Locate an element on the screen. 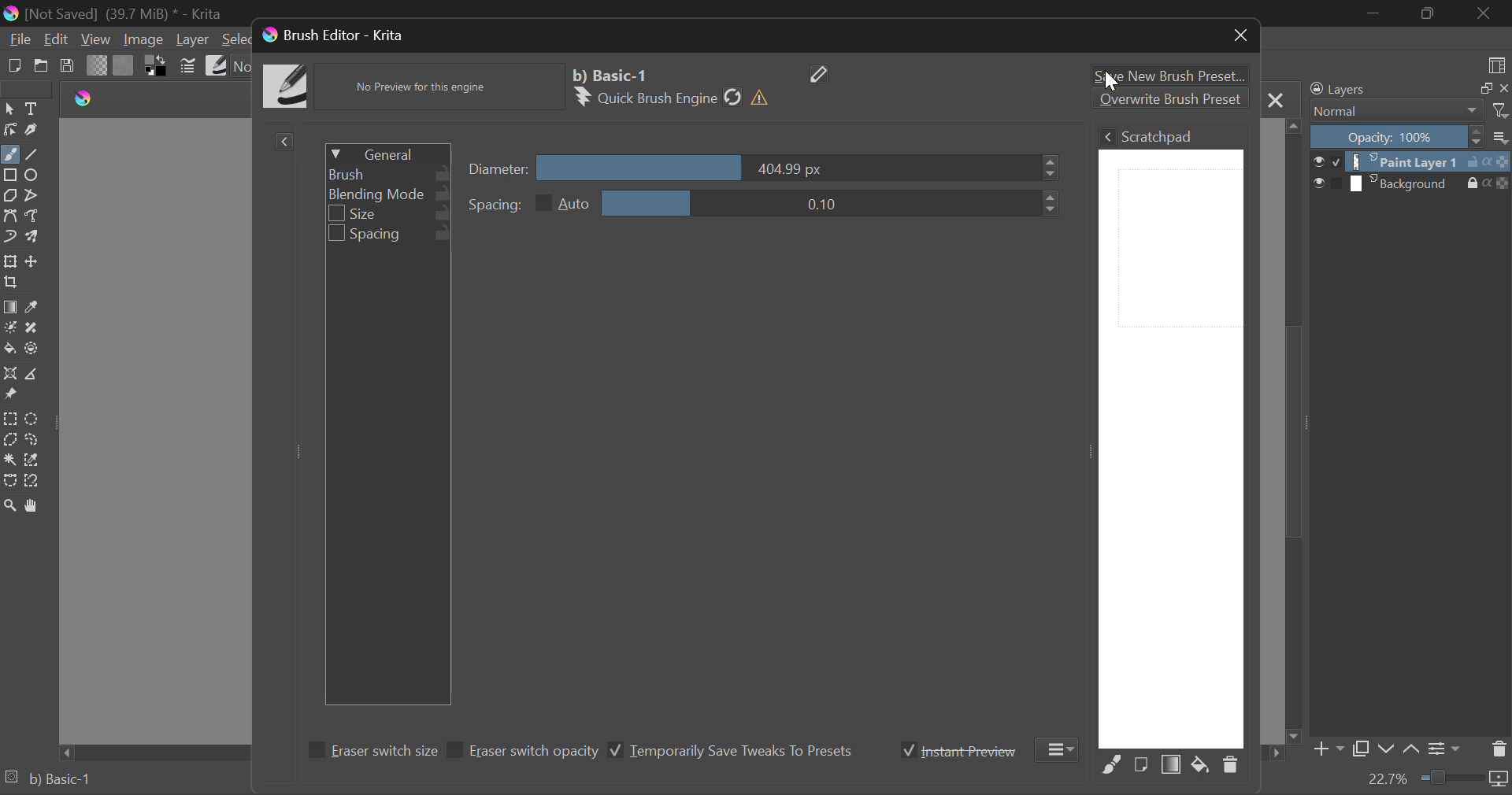 The image size is (1512, 795). Magnetic Selection is located at coordinates (33, 482).